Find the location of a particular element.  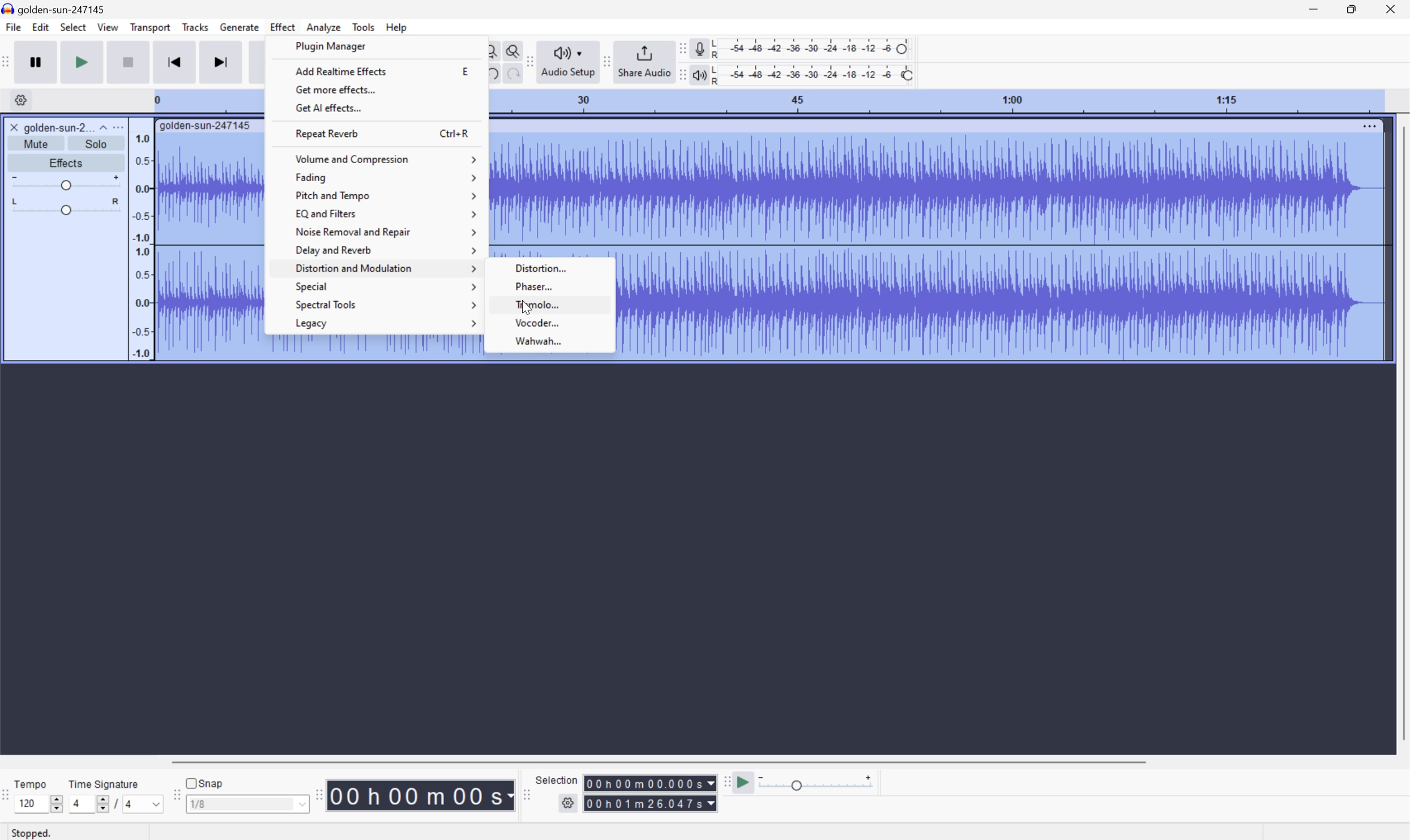

Audacity Time toolbar is located at coordinates (317, 795).